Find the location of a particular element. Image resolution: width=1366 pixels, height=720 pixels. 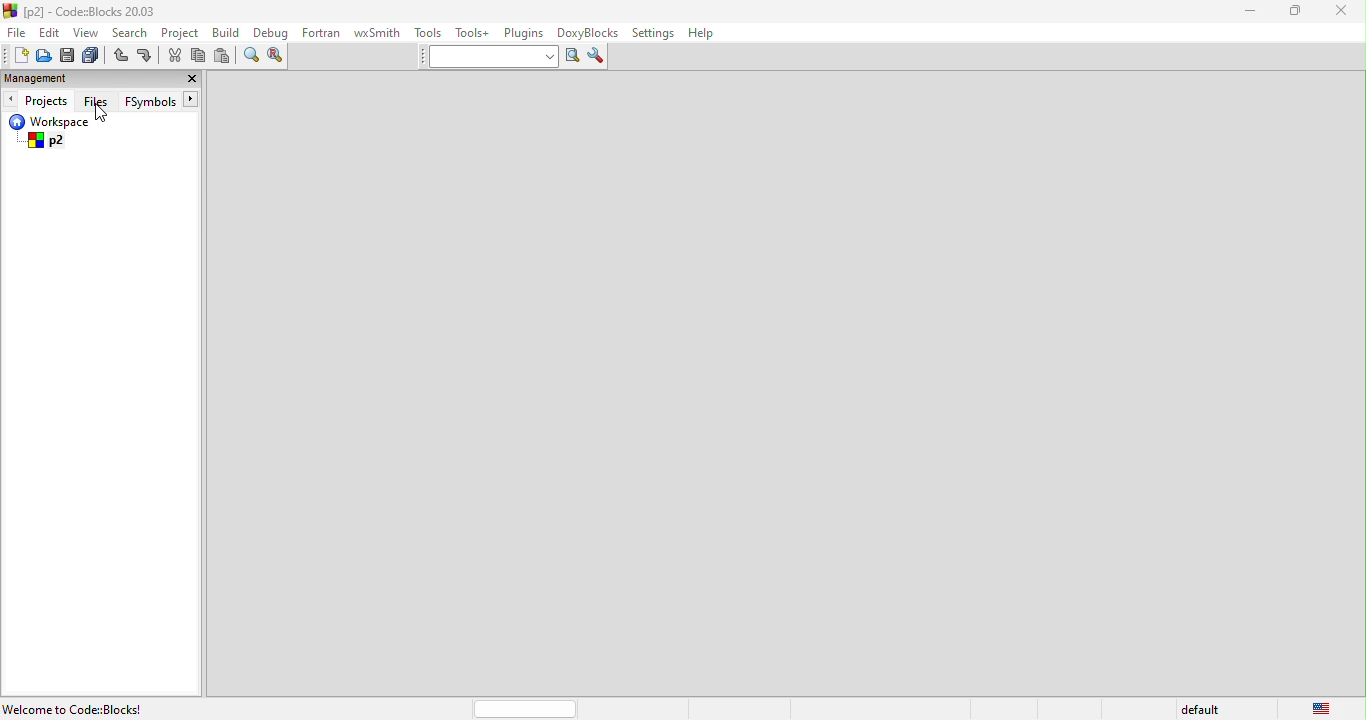

tools is located at coordinates (429, 32).